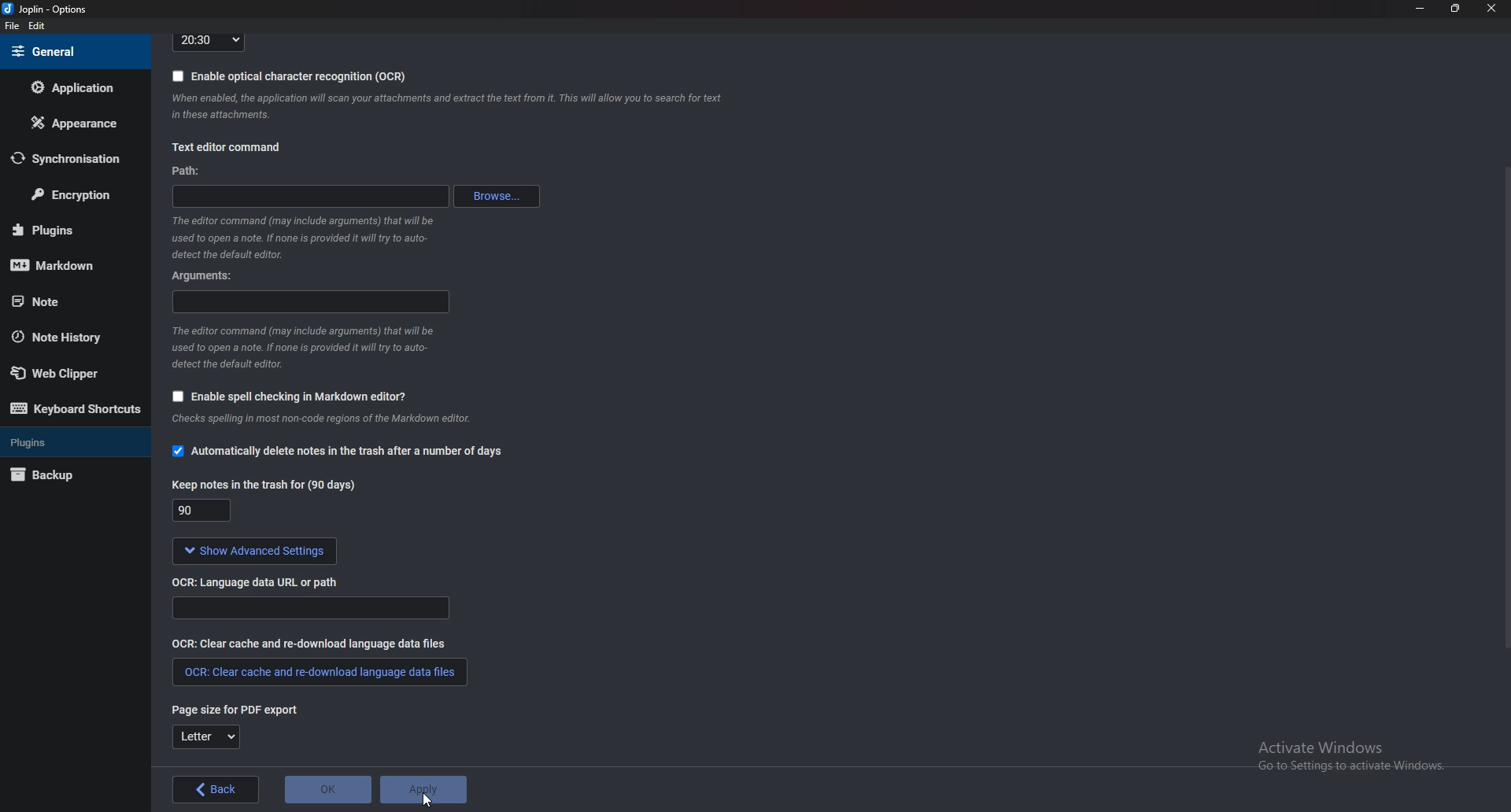  I want to click on Keyboard shortcuts, so click(75, 409).